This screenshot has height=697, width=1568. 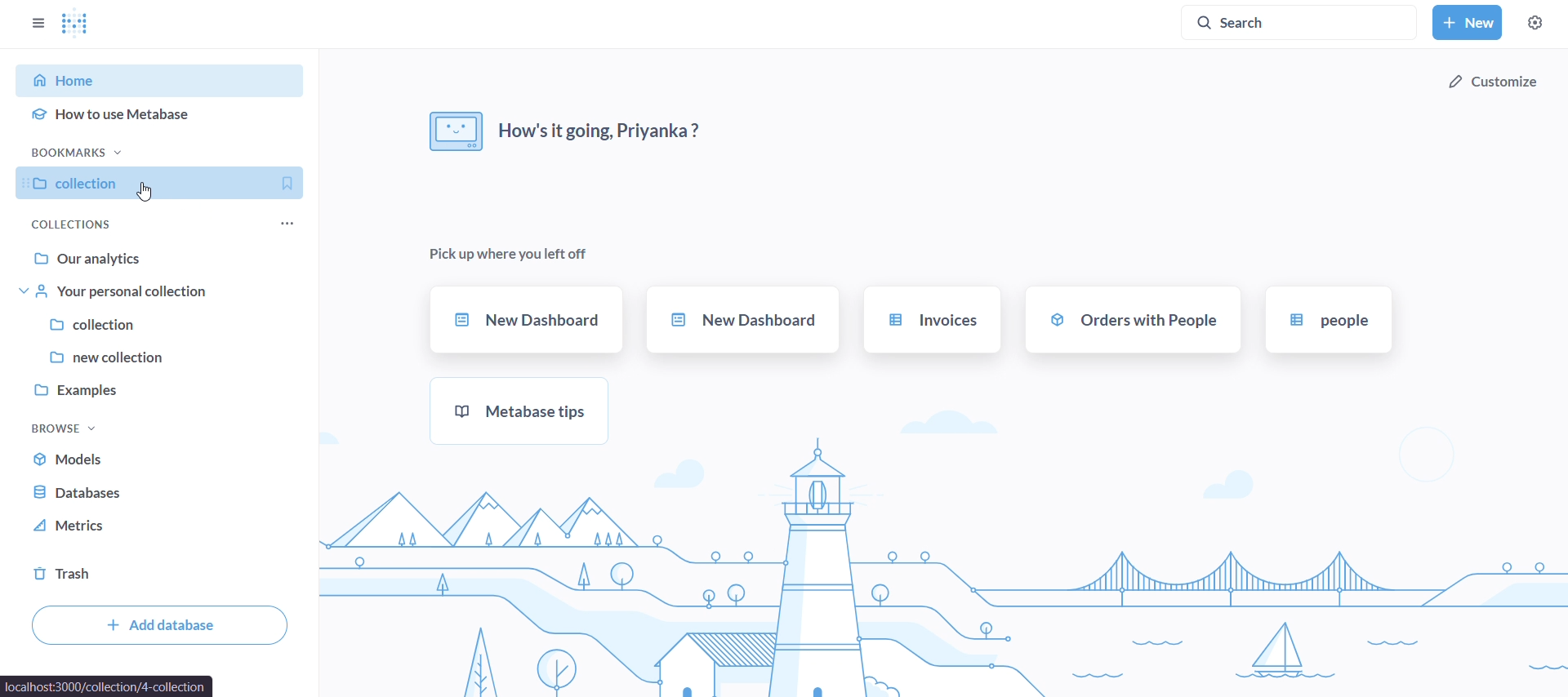 What do you see at coordinates (742, 319) in the screenshot?
I see `new dashboard` at bounding box center [742, 319].